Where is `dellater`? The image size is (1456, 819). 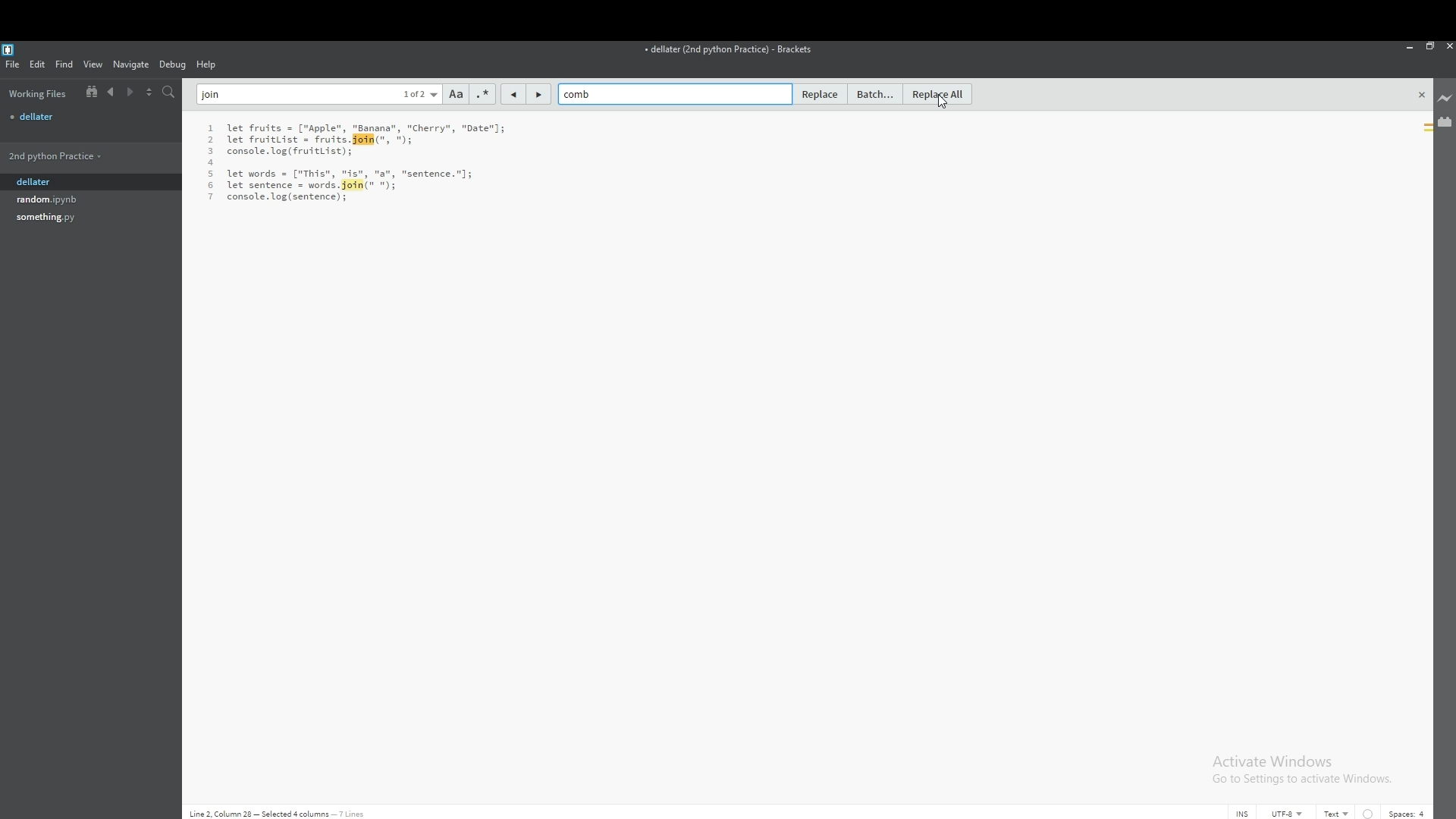 dellater is located at coordinates (71, 183).